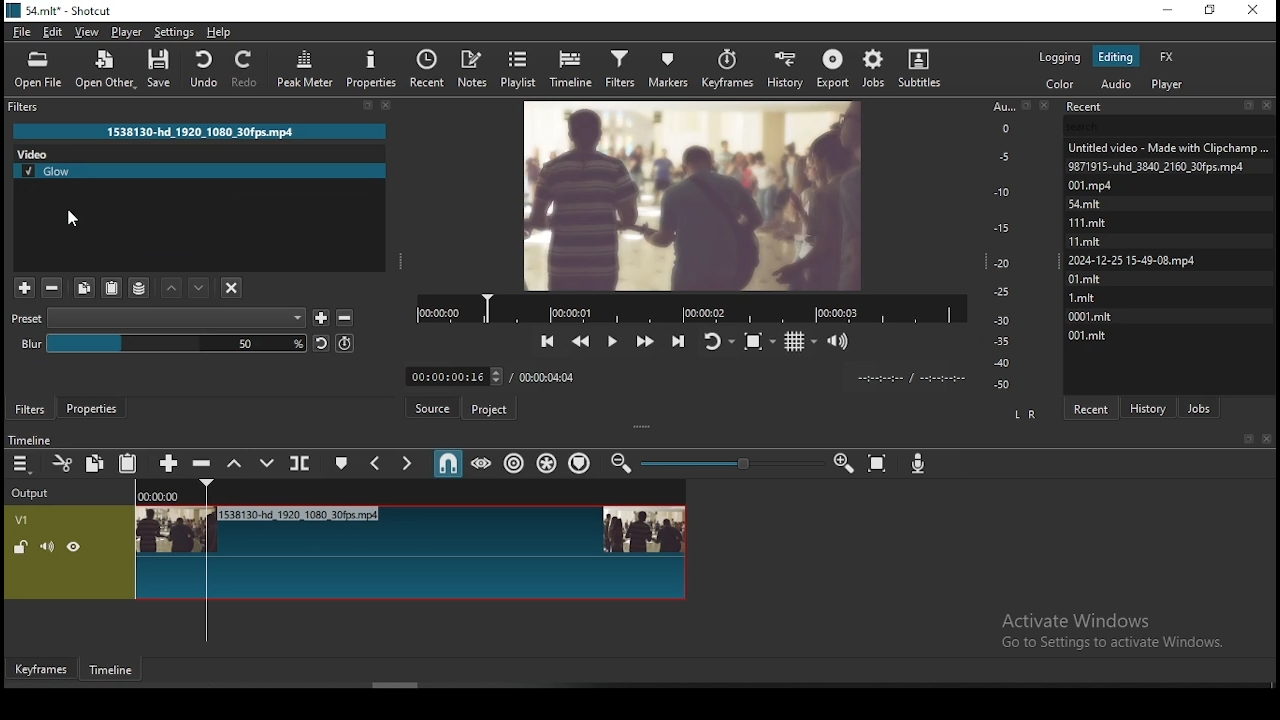 The image size is (1280, 720). What do you see at coordinates (114, 674) in the screenshot?
I see `timeline` at bounding box center [114, 674].